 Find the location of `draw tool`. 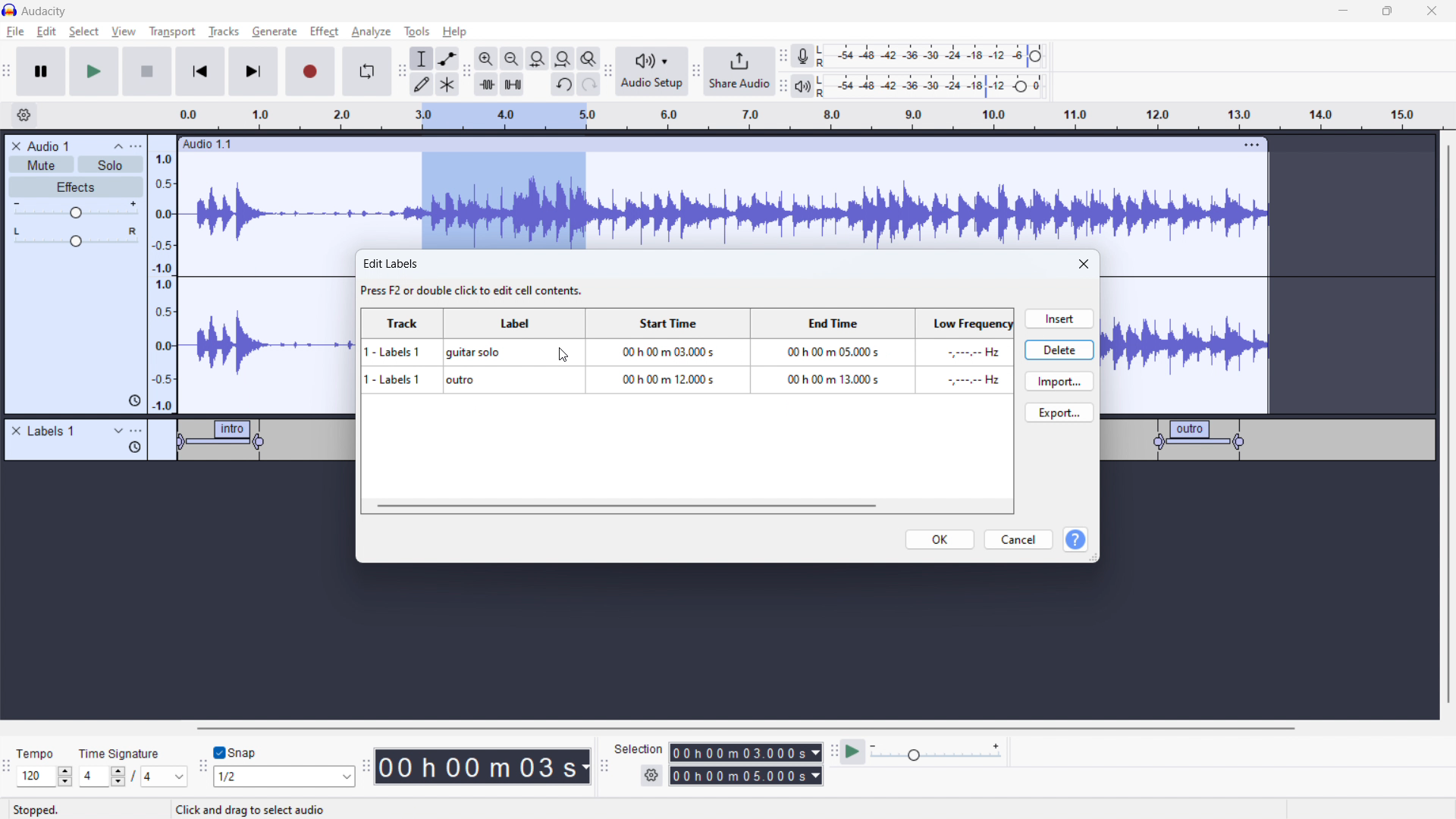

draw tool is located at coordinates (422, 83).